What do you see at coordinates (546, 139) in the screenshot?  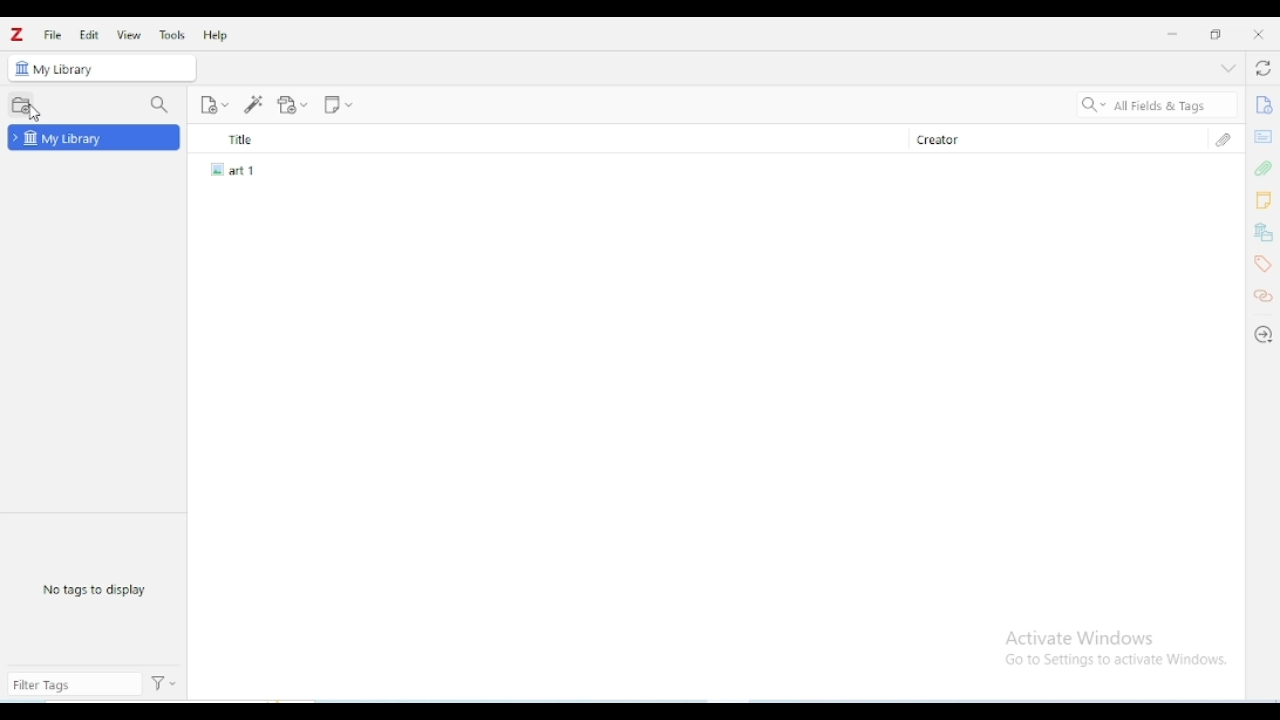 I see `title` at bounding box center [546, 139].